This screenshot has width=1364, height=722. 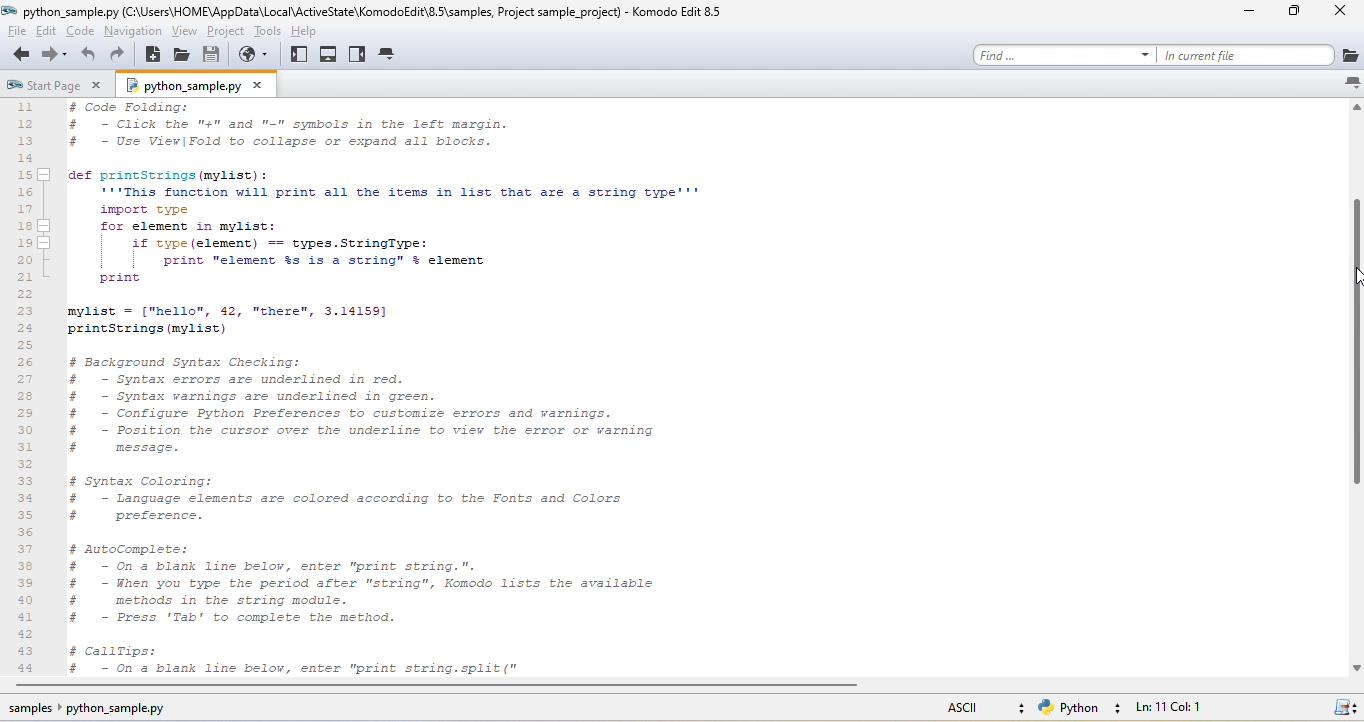 What do you see at coordinates (329, 55) in the screenshot?
I see `bottom pane` at bounding box center [329, 55].